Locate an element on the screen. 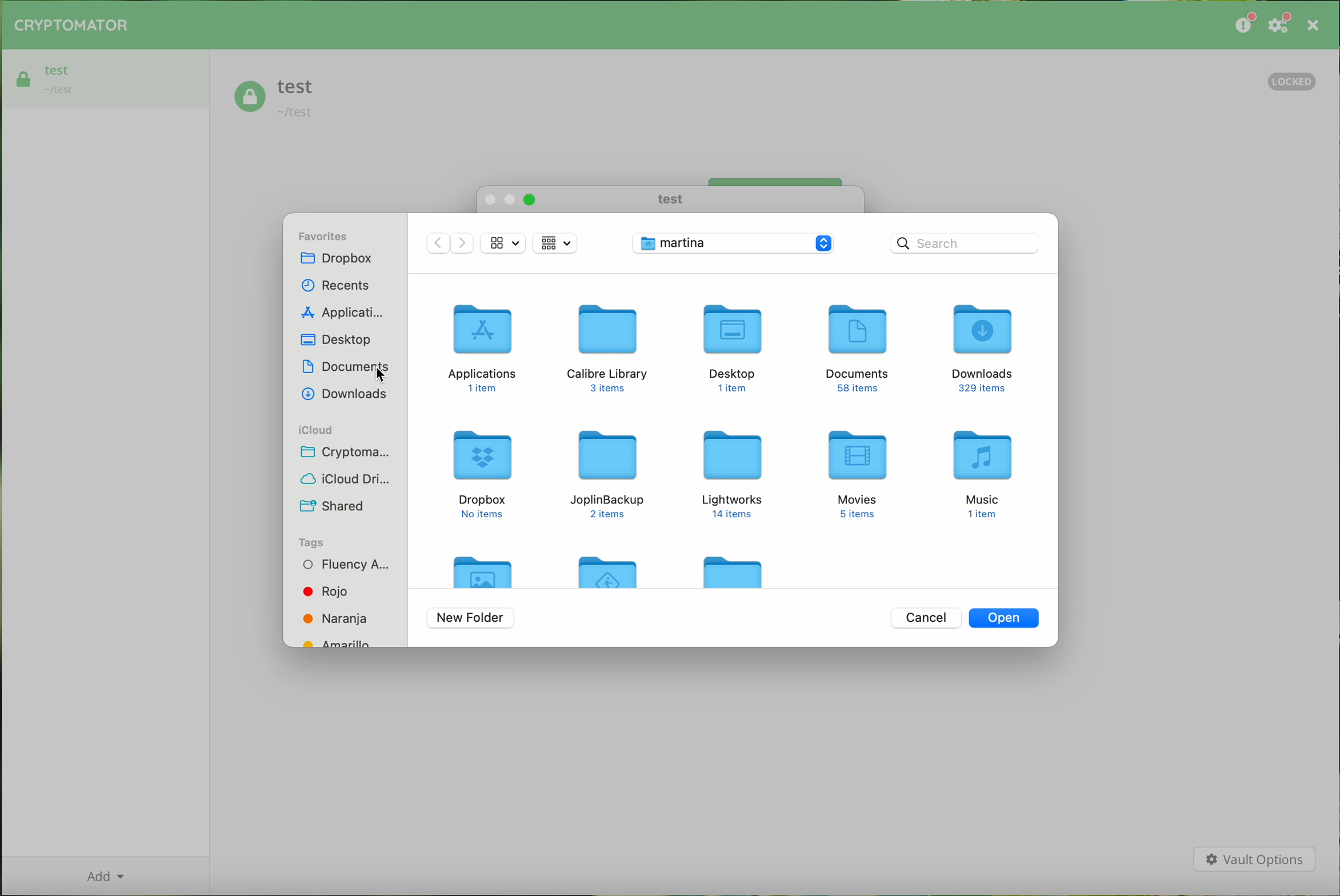 This screenshot has height=896, width=1340. test is located at coordinates (668, 199).